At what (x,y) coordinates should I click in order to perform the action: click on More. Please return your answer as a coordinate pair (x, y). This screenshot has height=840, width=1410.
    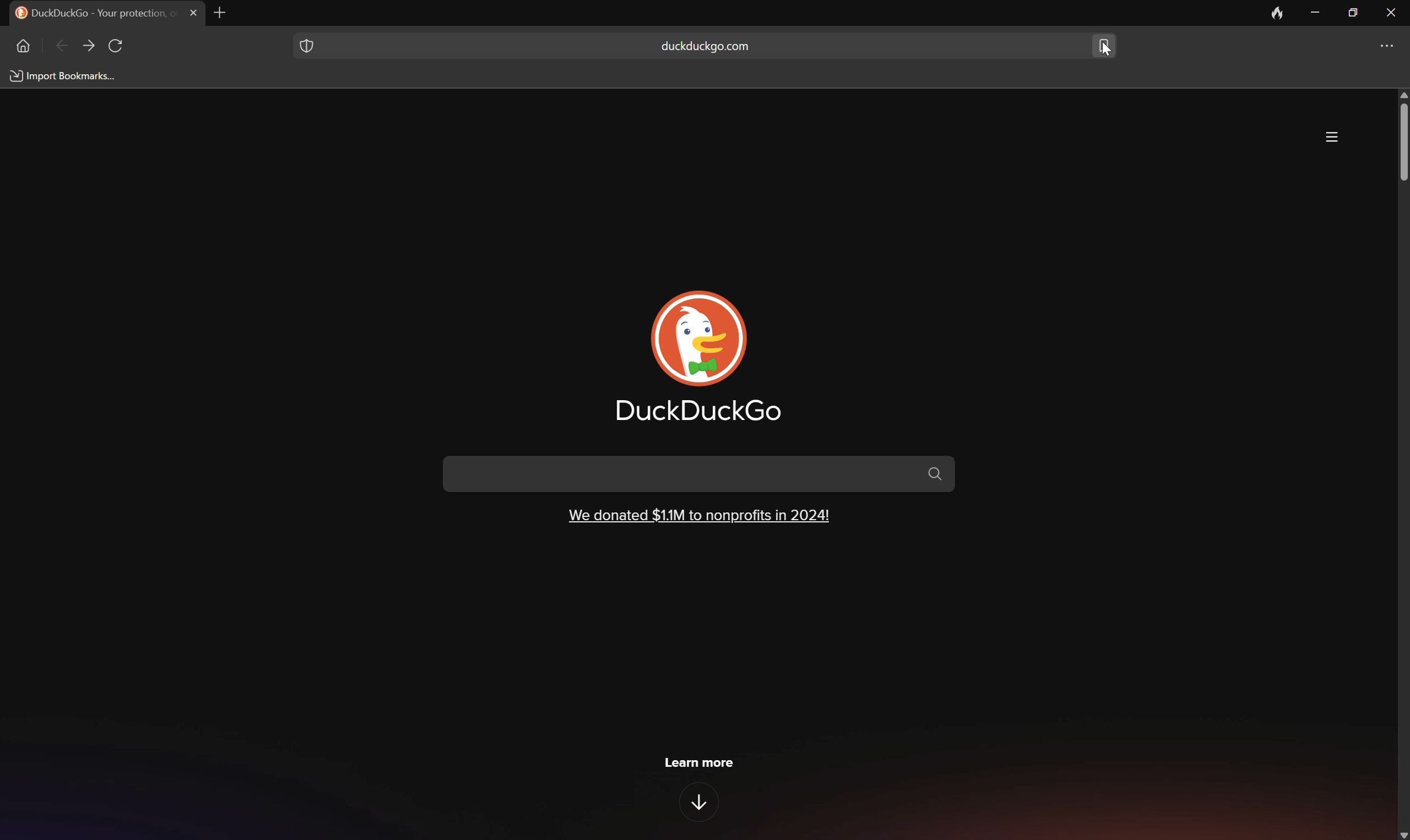
    Looking at the image, I should click on (1391, 46).